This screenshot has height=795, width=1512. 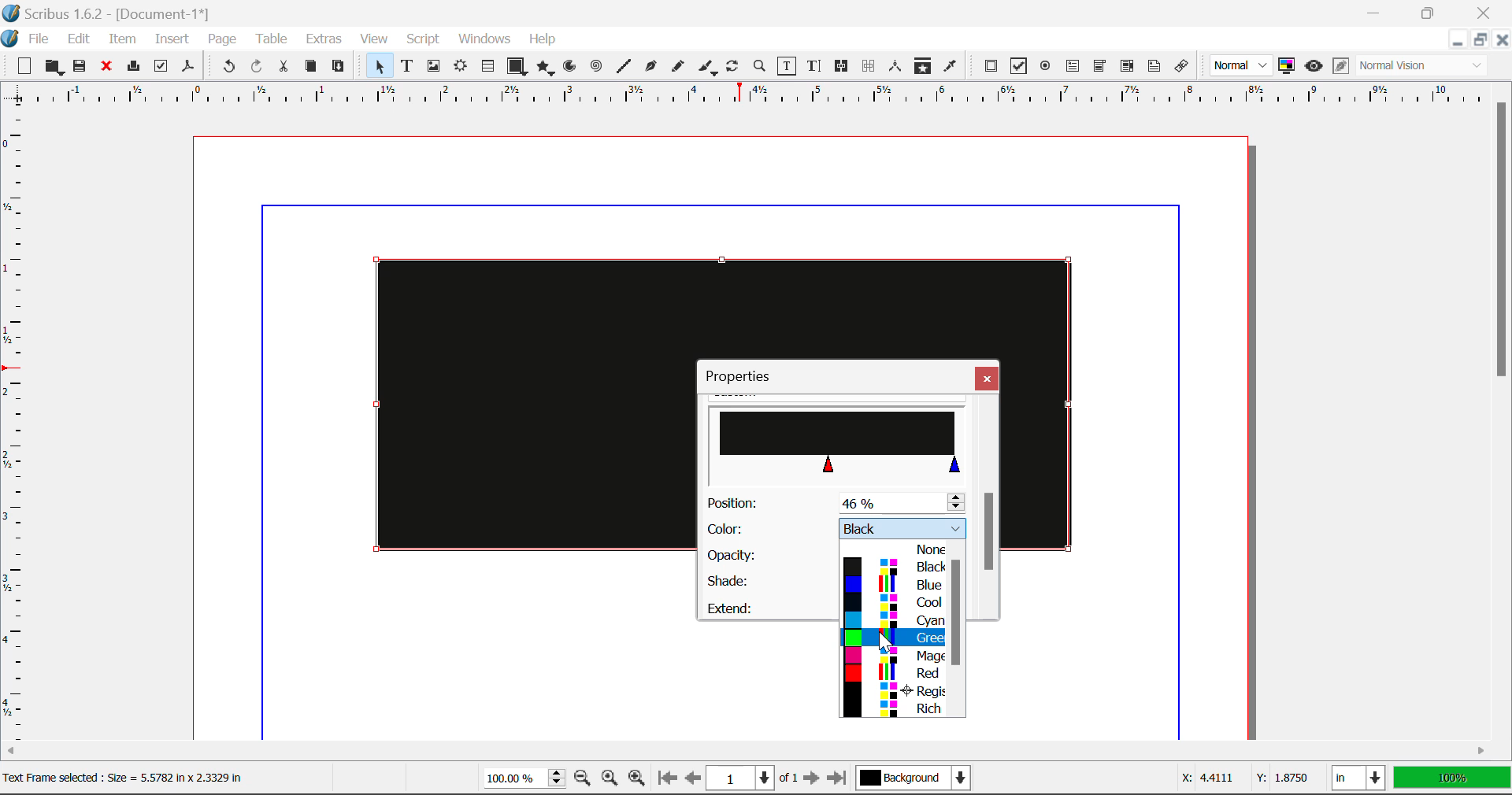 I want to click on Display Measurement, so click(x=1452, y=780).